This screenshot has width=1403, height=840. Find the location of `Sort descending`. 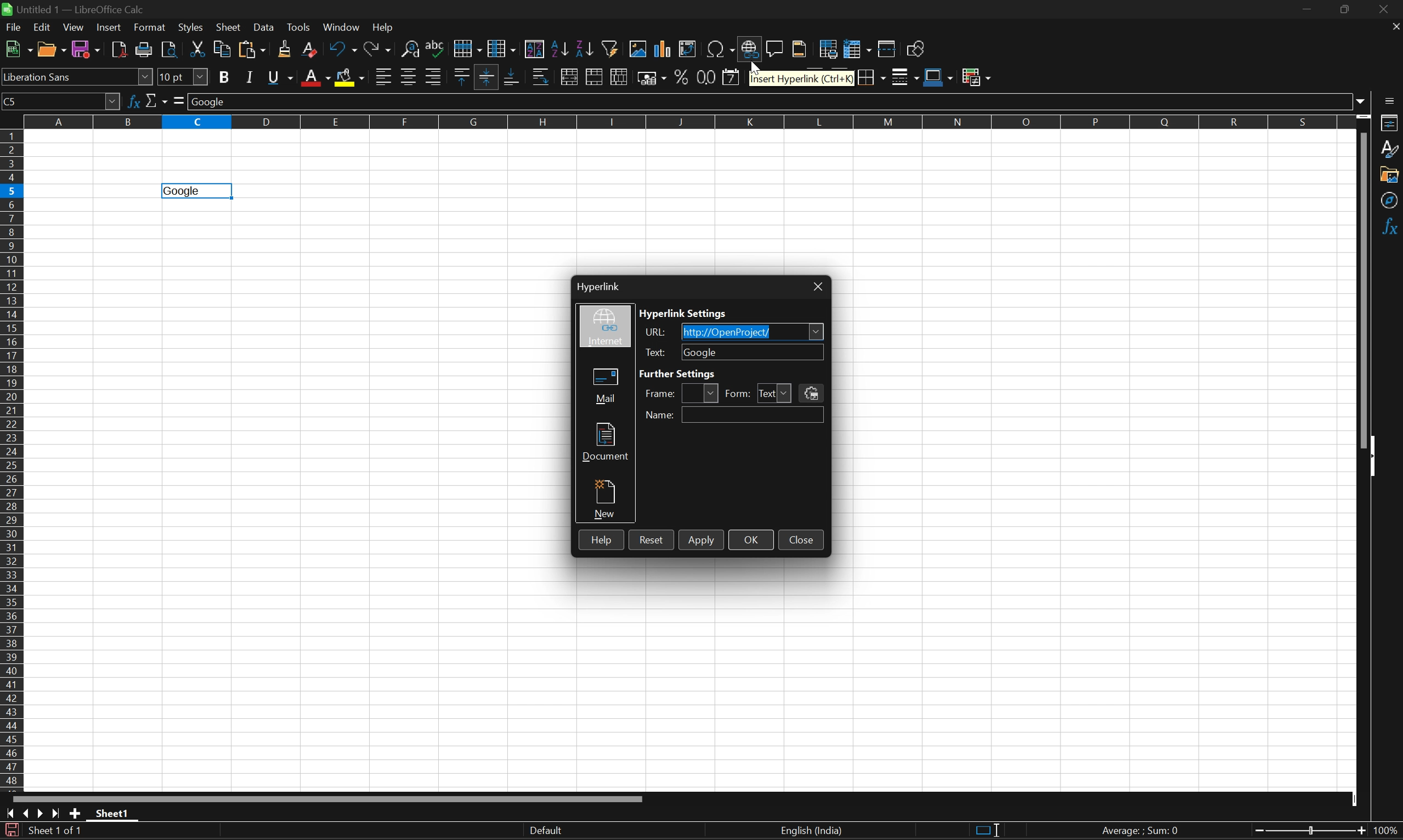

Sort descending is located at coordinates (586, 49).